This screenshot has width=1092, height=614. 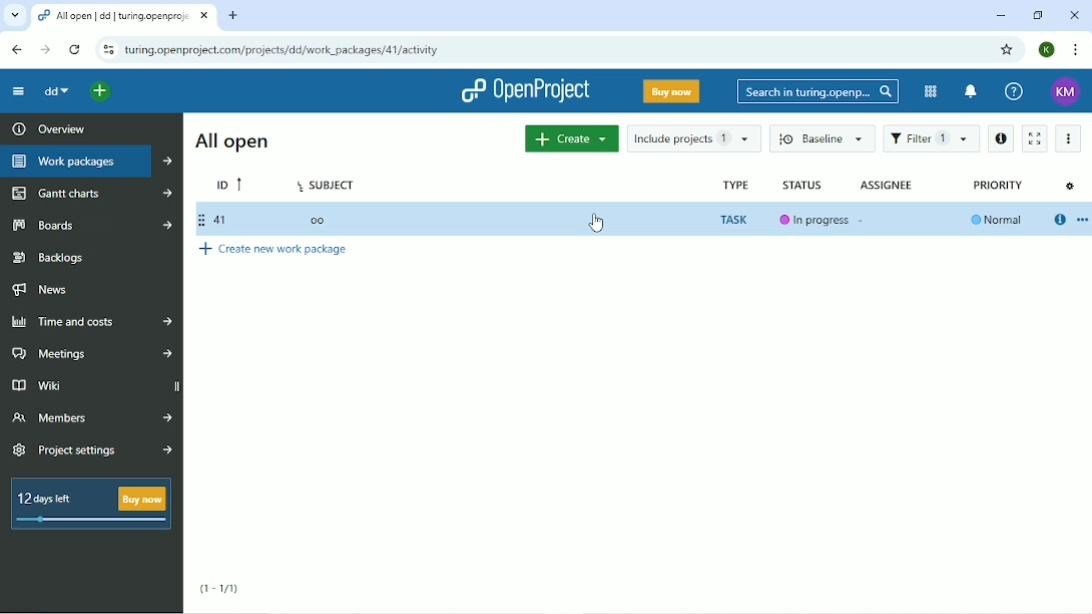 I want to click on KM, so click(x=1065, y=92).